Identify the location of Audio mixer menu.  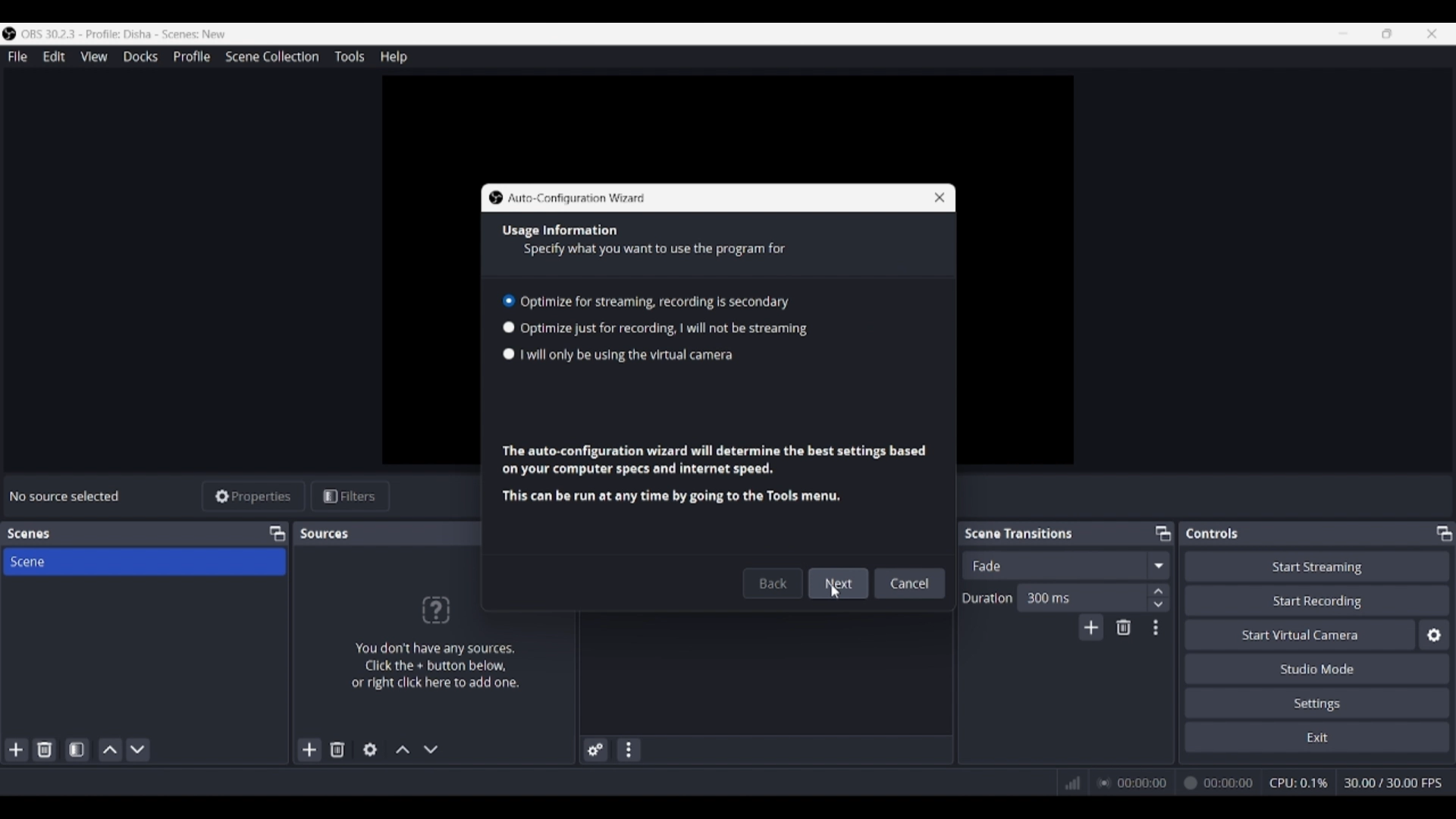
(628, 750).